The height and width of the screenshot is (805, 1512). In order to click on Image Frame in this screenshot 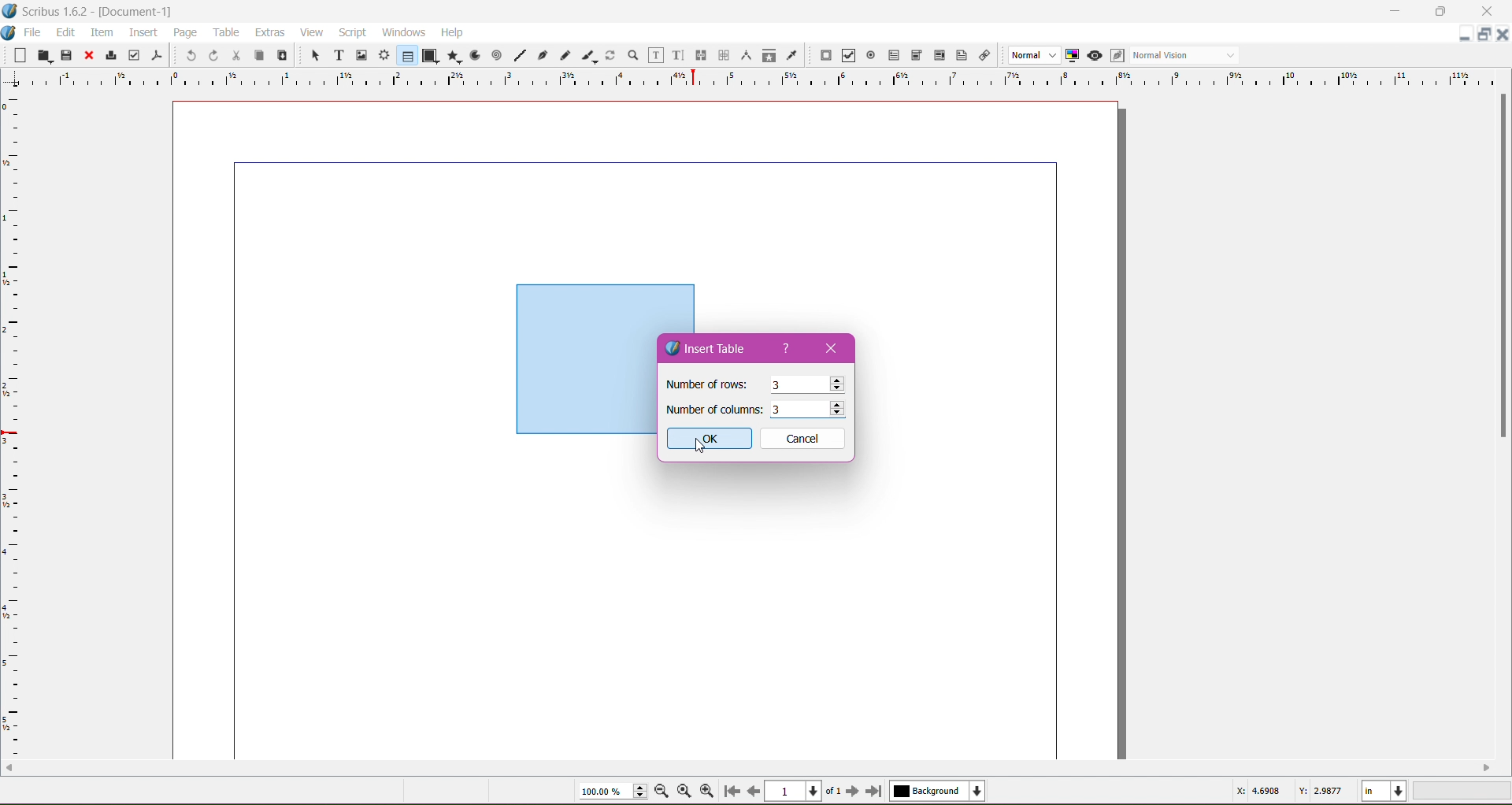, I will do `click(359, 54)`.